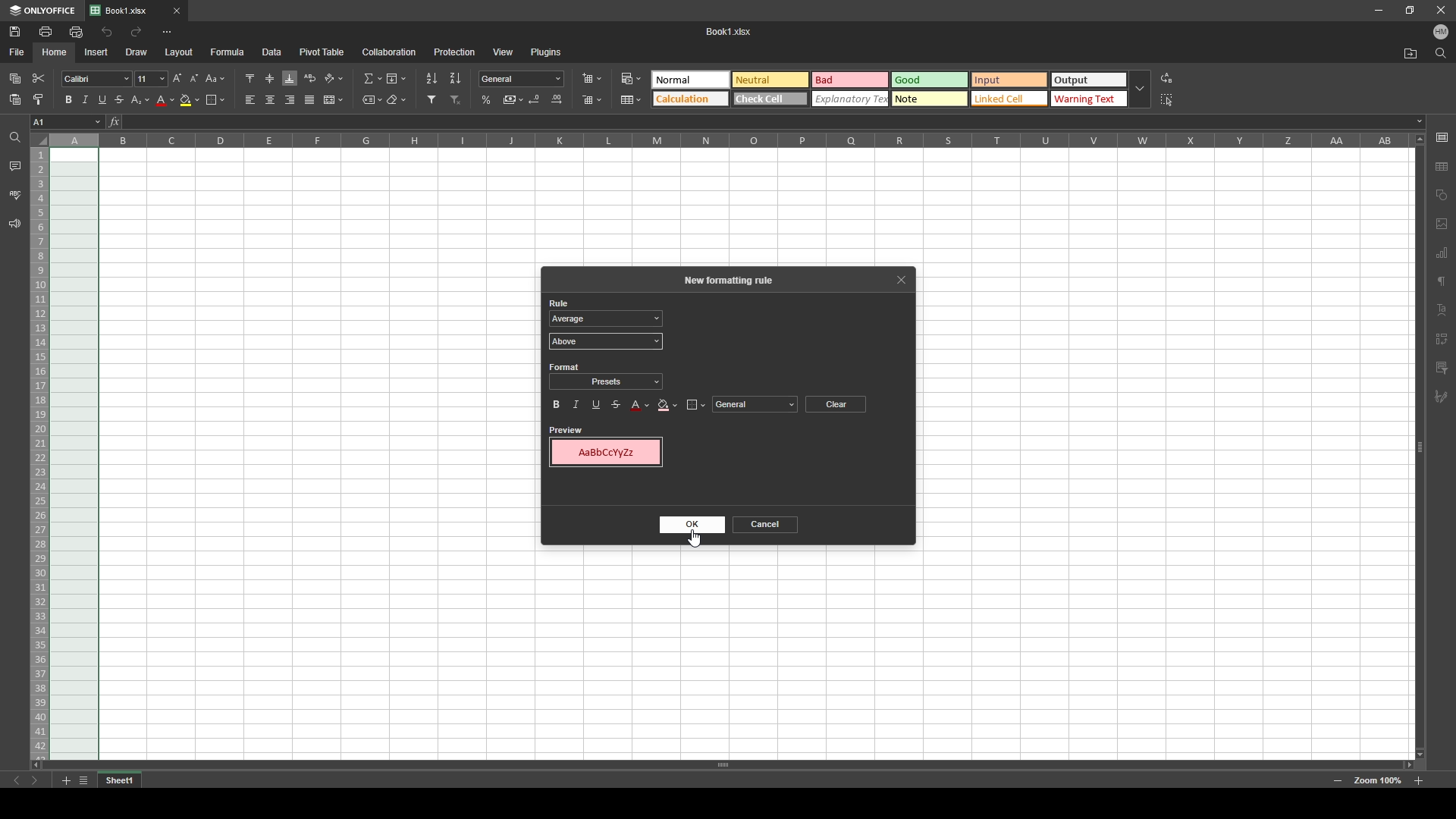 The image size is (1456, 819). What do you see at coordinates (522, 78) in the screenshot?
I see `number format` at bounding box center [522, 78].